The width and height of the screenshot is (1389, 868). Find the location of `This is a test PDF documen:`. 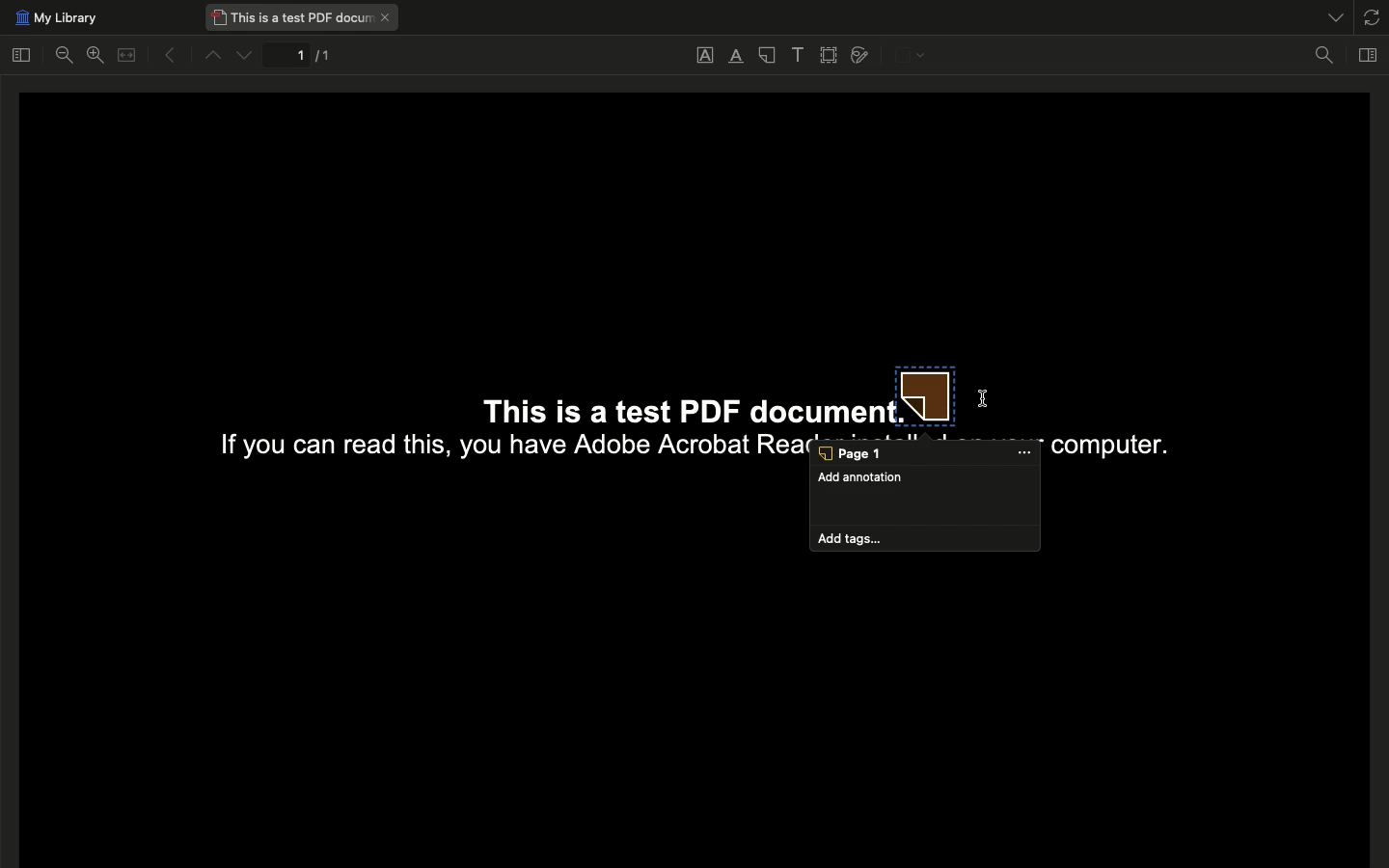

This is a test PDF documen: is located at coordinates (668, 403).